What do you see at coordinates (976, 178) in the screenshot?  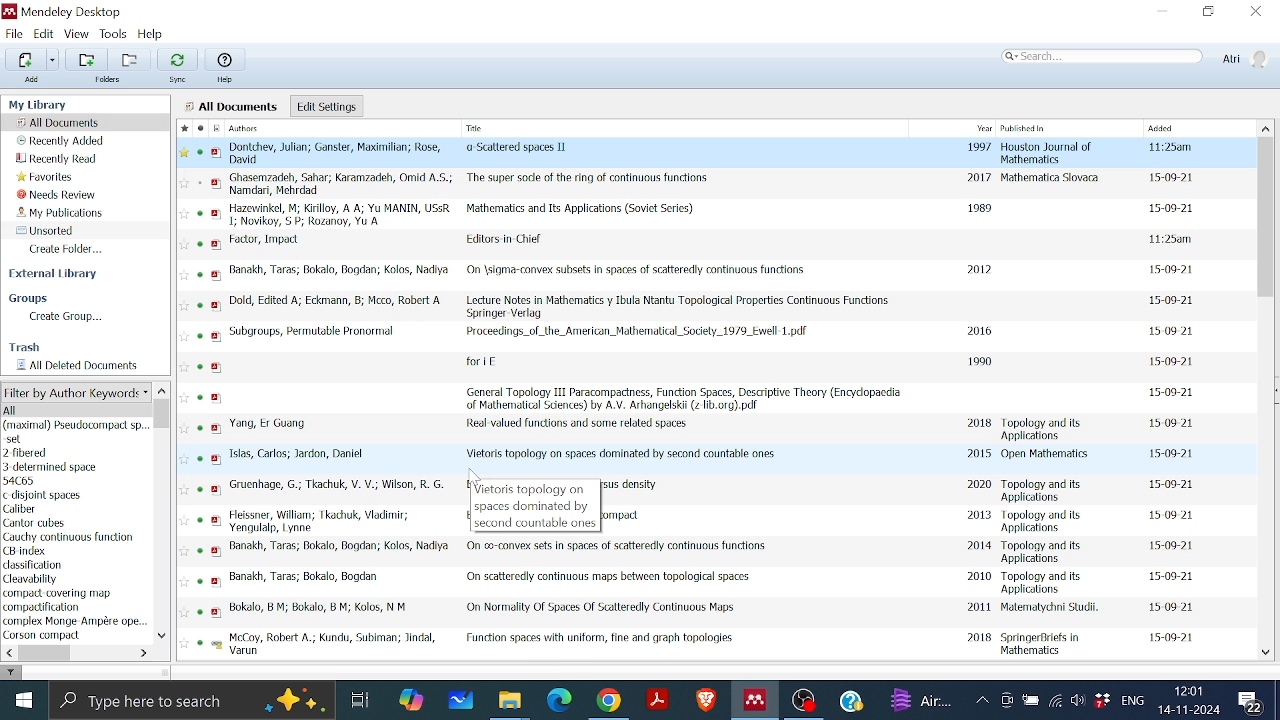 I see `2017` at bounding box center [976, 178].